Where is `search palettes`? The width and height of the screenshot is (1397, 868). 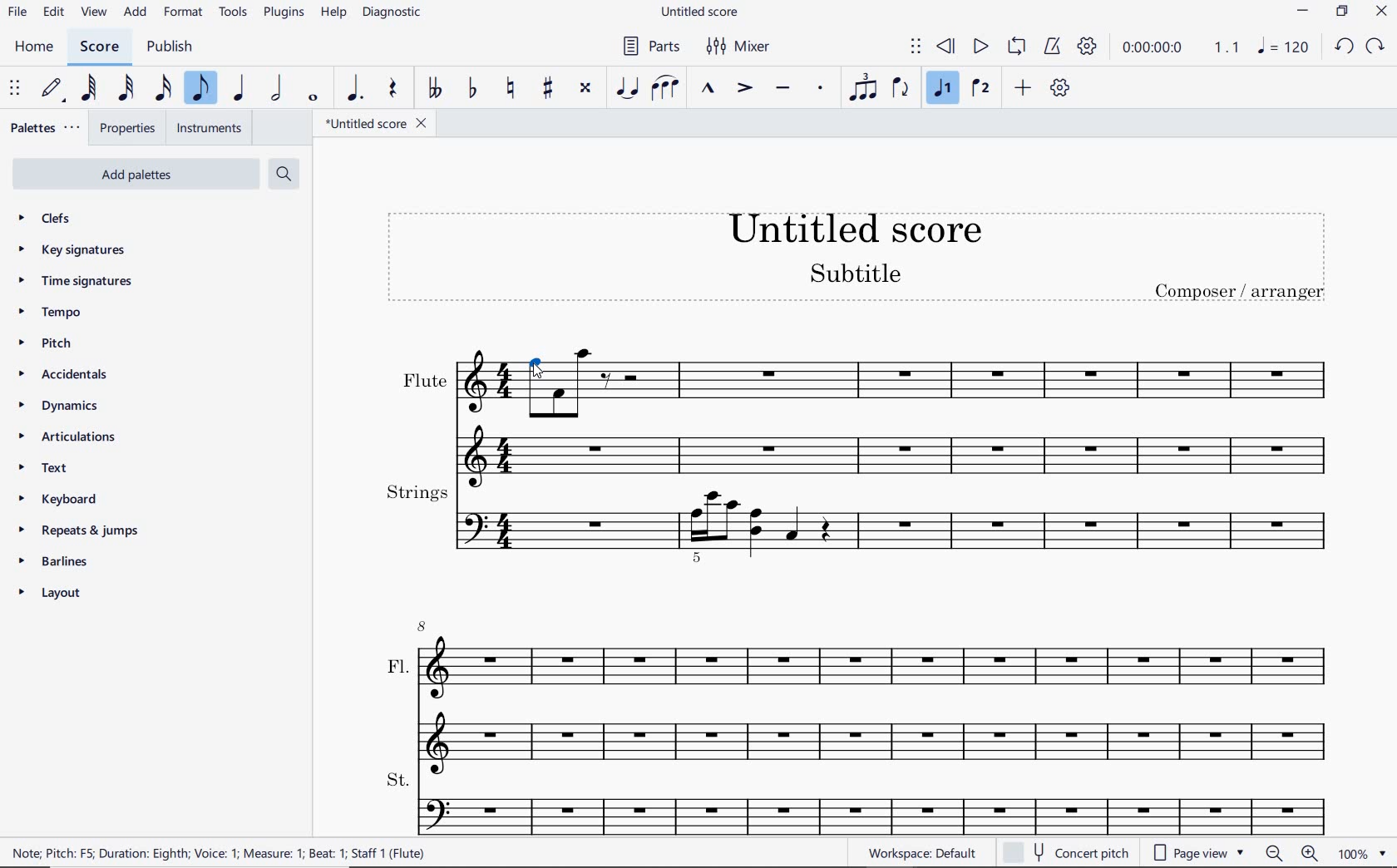
search palettes is located at coordinates (284, 173).